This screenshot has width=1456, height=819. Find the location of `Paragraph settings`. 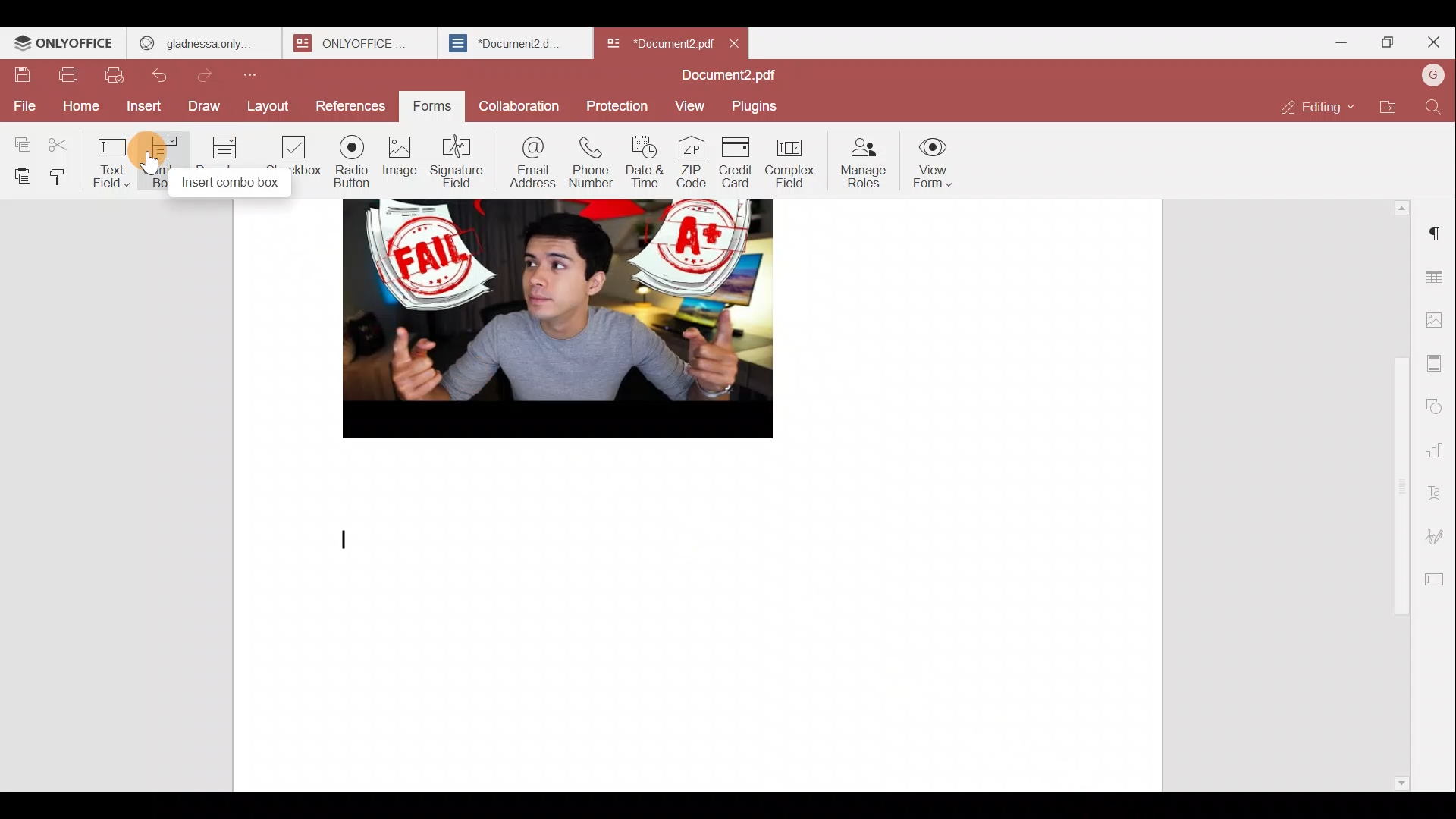

Paragraph settings is located at coordinates (1437, 229).